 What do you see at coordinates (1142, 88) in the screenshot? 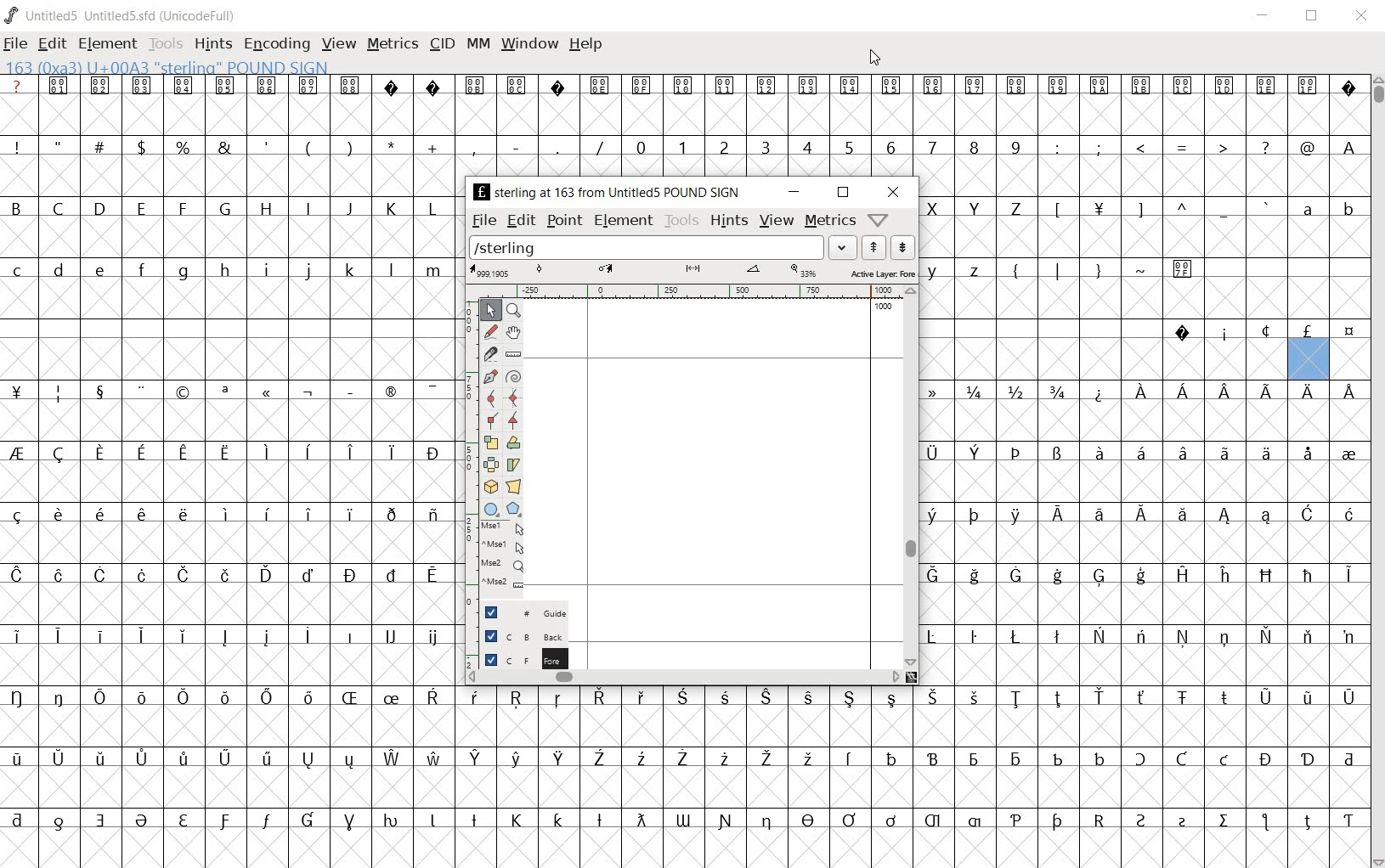
I see `Symbol` at bounding box center [1142, 88].